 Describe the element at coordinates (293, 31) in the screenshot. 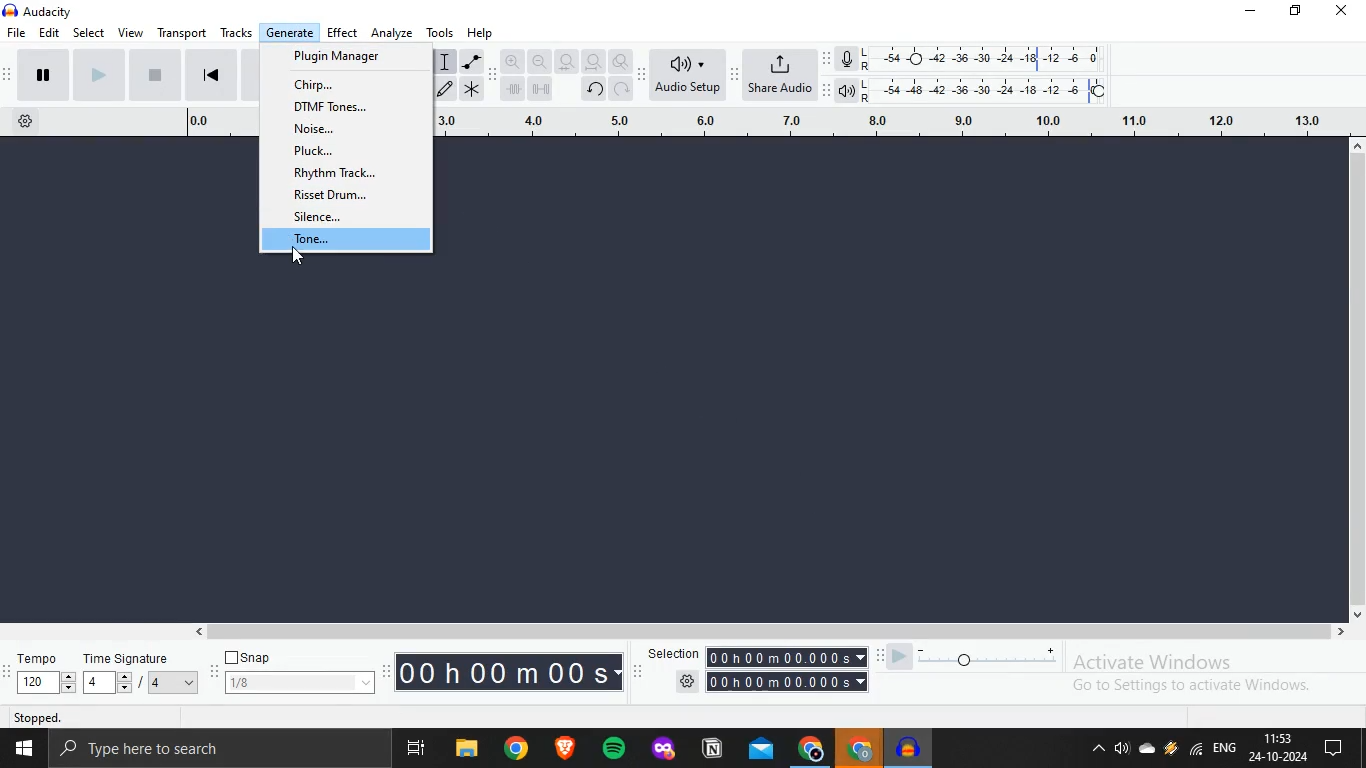

I see `Generate` at that location.